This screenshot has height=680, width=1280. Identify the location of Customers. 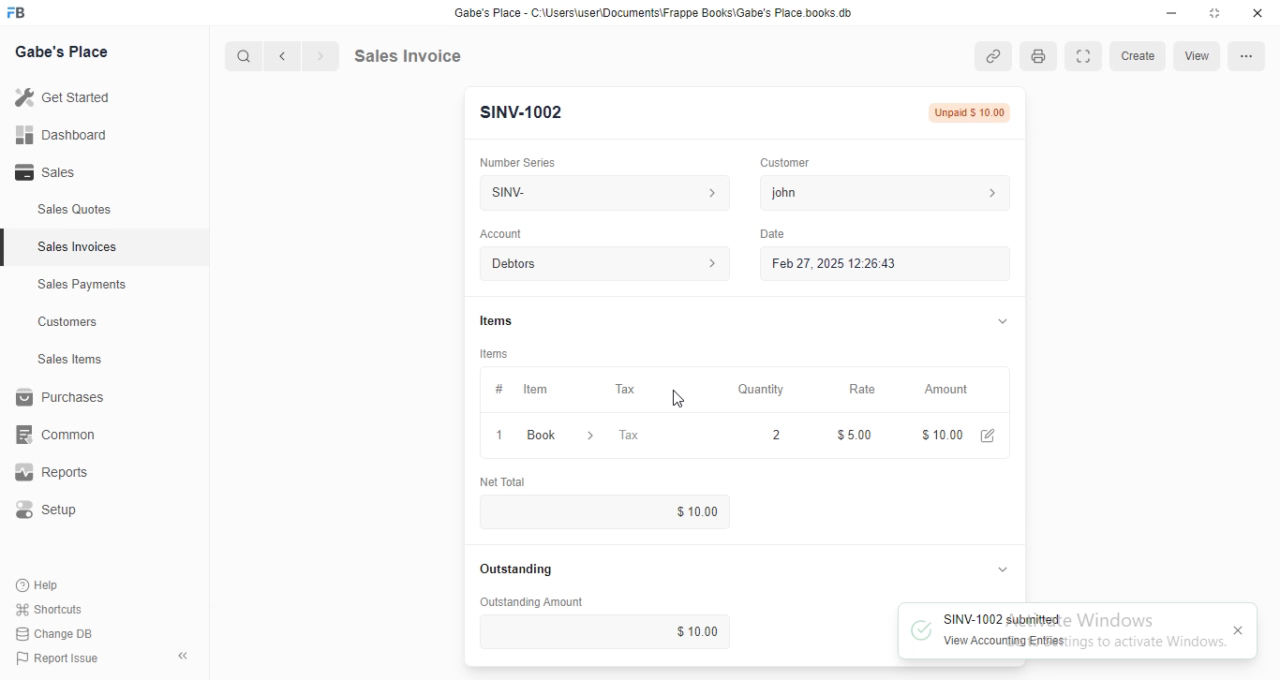
(67, 323).